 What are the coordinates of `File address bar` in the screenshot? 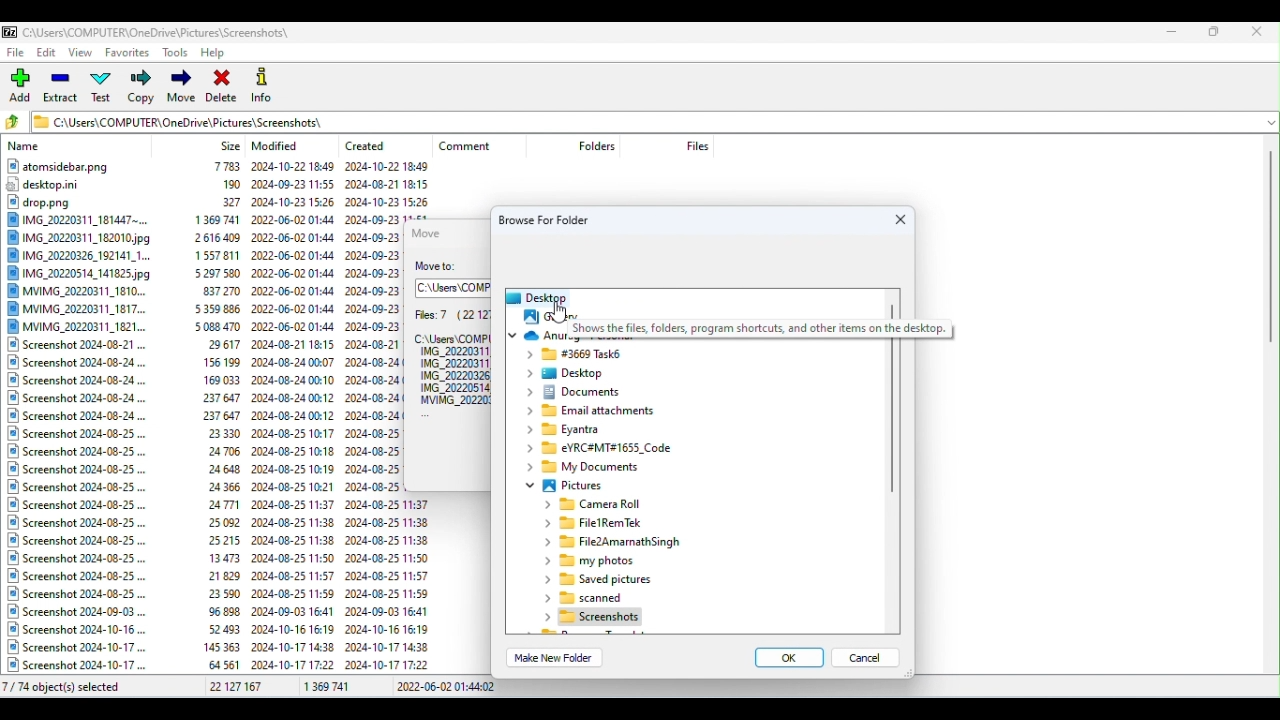 It's located at (643, 120).